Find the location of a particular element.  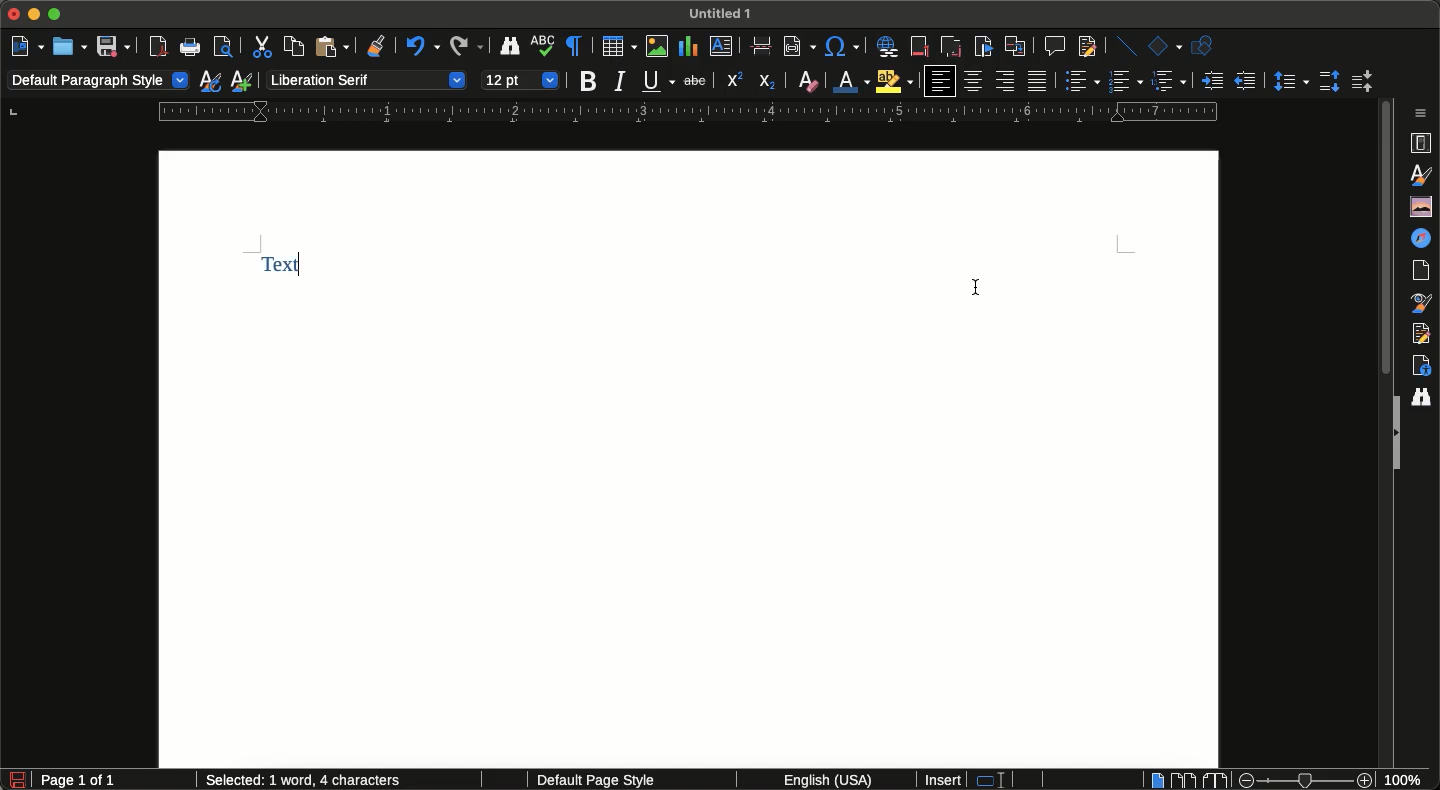

Align right  is located at coordinates (1005, 82).